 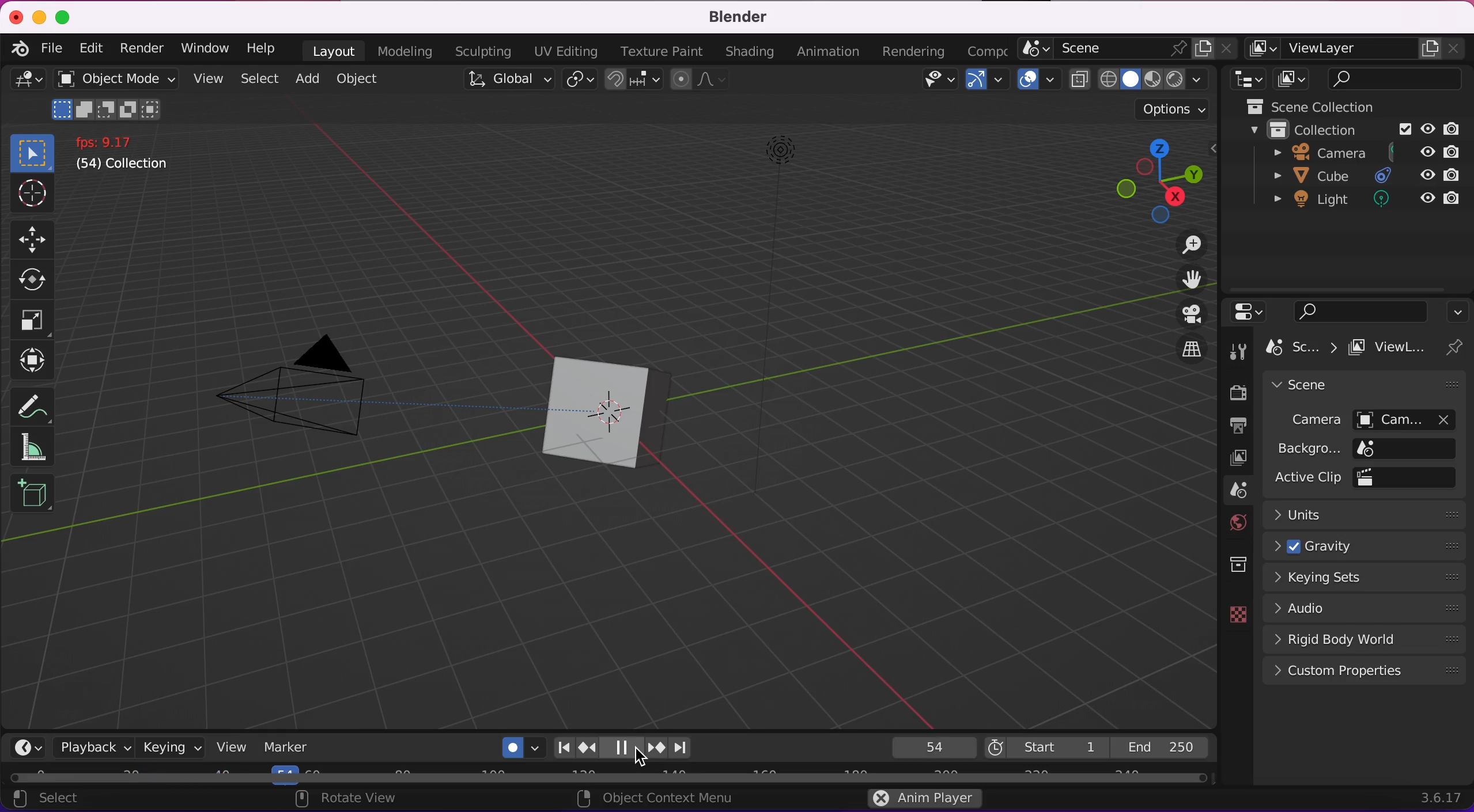 What do you see at coordinates (1360, 478) in the screenshot?
I see `active clip` at bounding box center [1360, 478].